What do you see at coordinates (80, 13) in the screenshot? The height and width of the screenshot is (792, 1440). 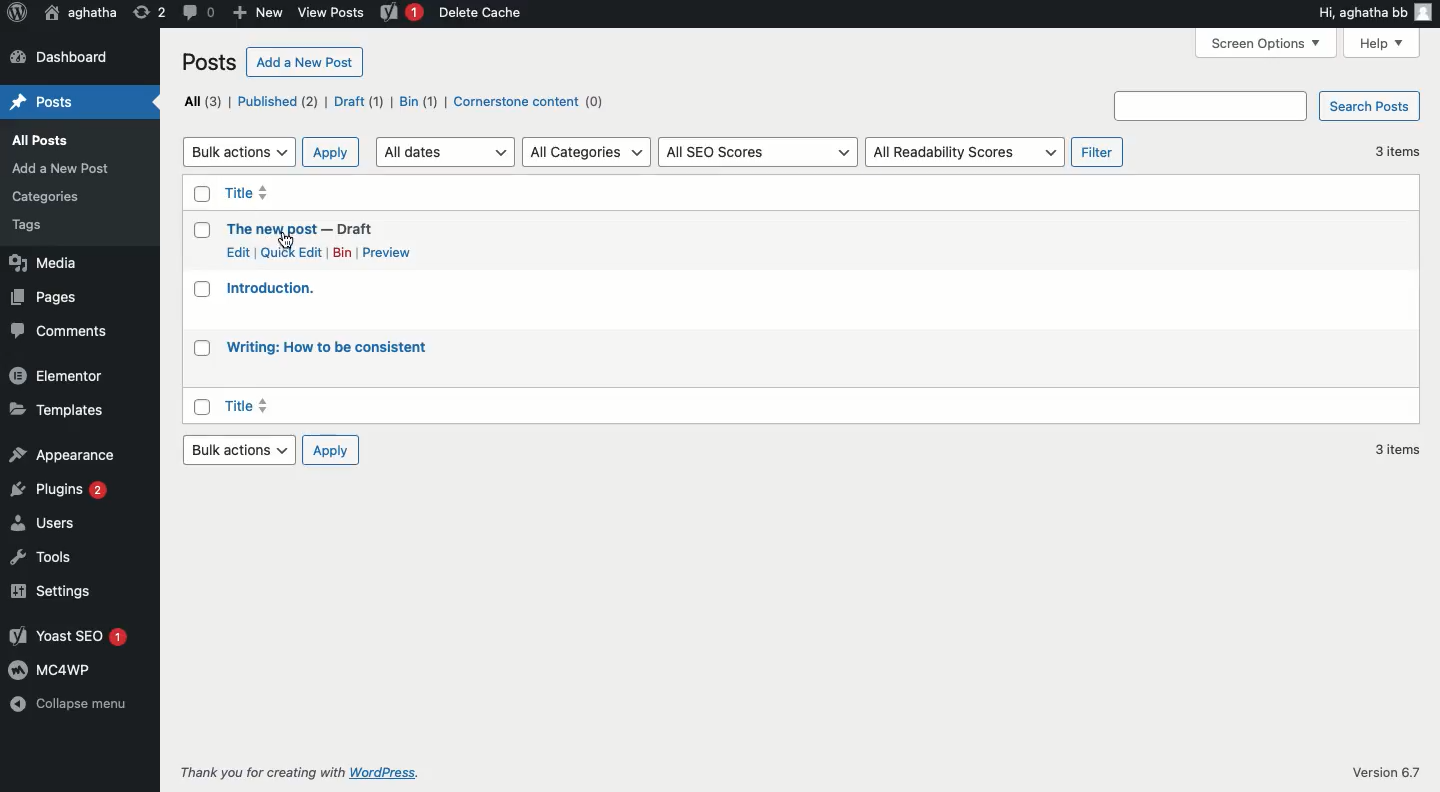 I see `Home aghatha` at bounding box center [80, 13].